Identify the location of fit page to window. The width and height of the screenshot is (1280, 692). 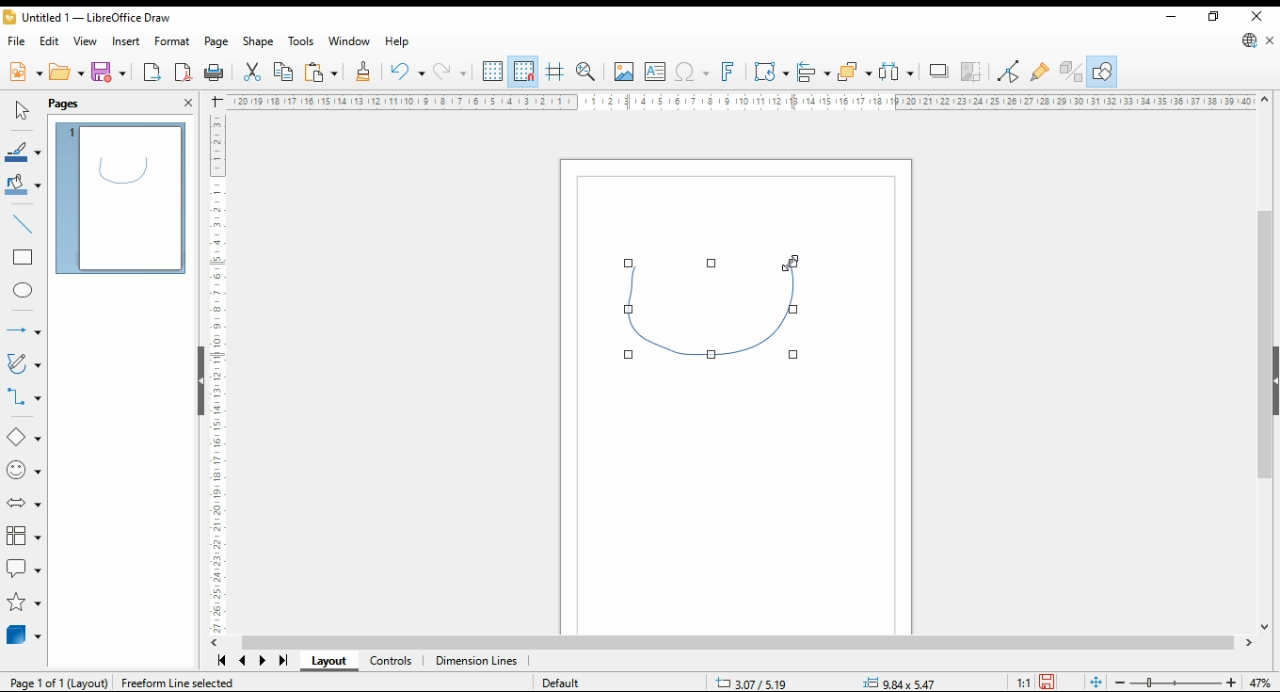
(1095, 681).